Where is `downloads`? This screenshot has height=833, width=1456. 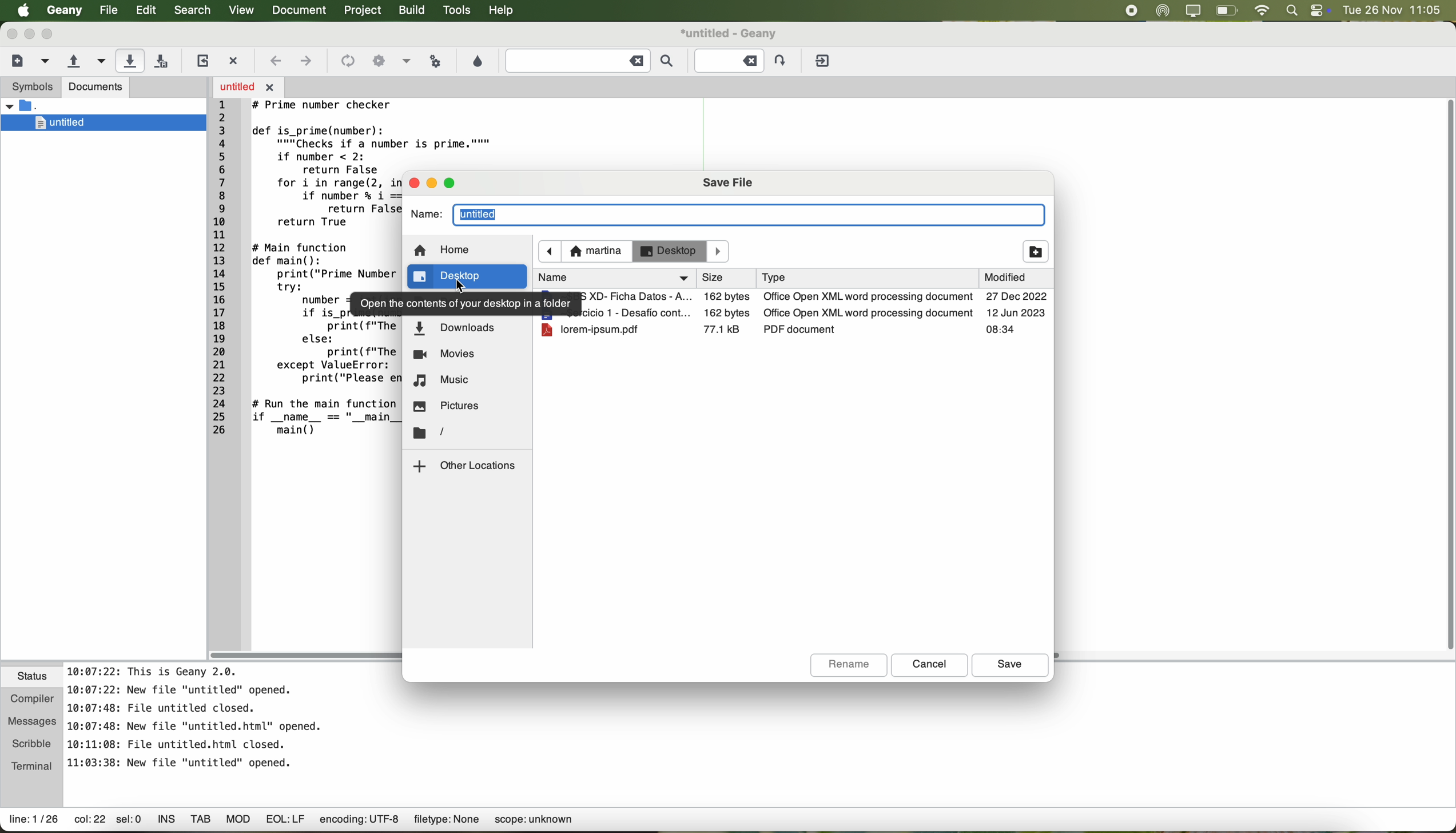 downloads is located at coordinates (454, 329).